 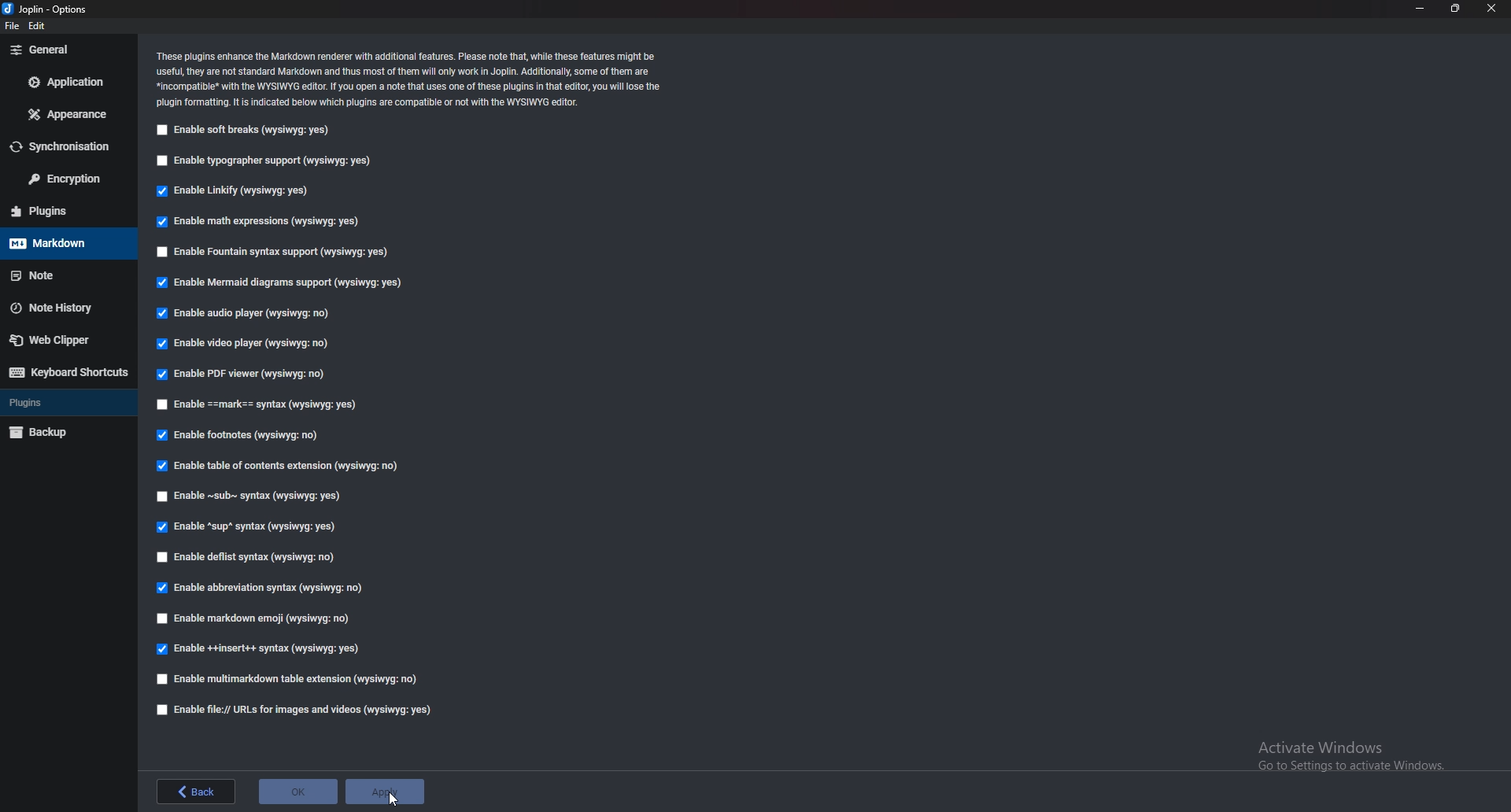 What do you see at coordinates (268, 161) in the screenshot?
I see `Enable typographer support` at bounding box center [268, 161].